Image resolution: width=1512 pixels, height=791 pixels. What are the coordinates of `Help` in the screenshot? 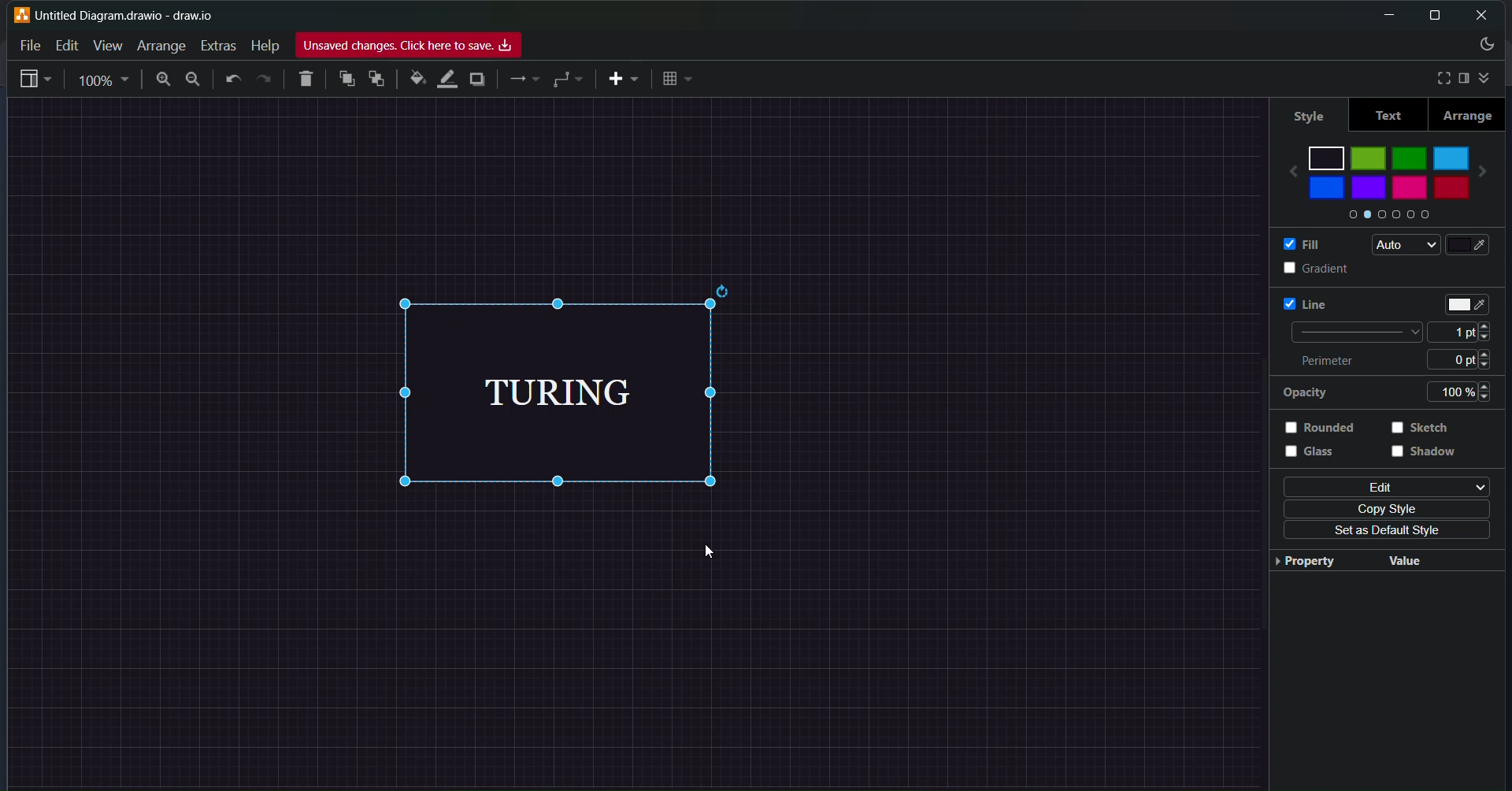 It's located at (264, 46).